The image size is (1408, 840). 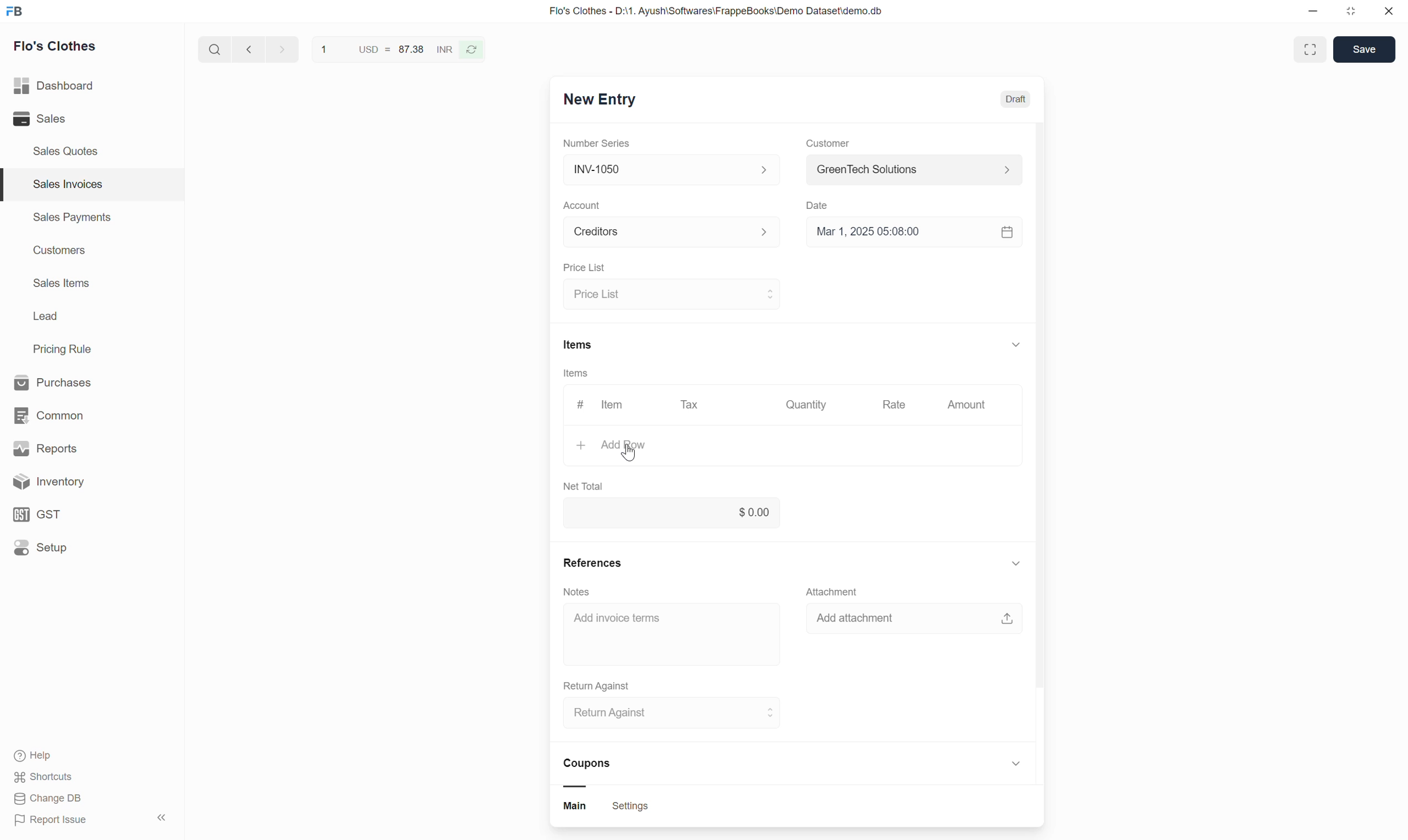 What do you see at coordinates (66, 151) in the screenshot?
I see `Sales Quotes` at bounding box center [66, 151].